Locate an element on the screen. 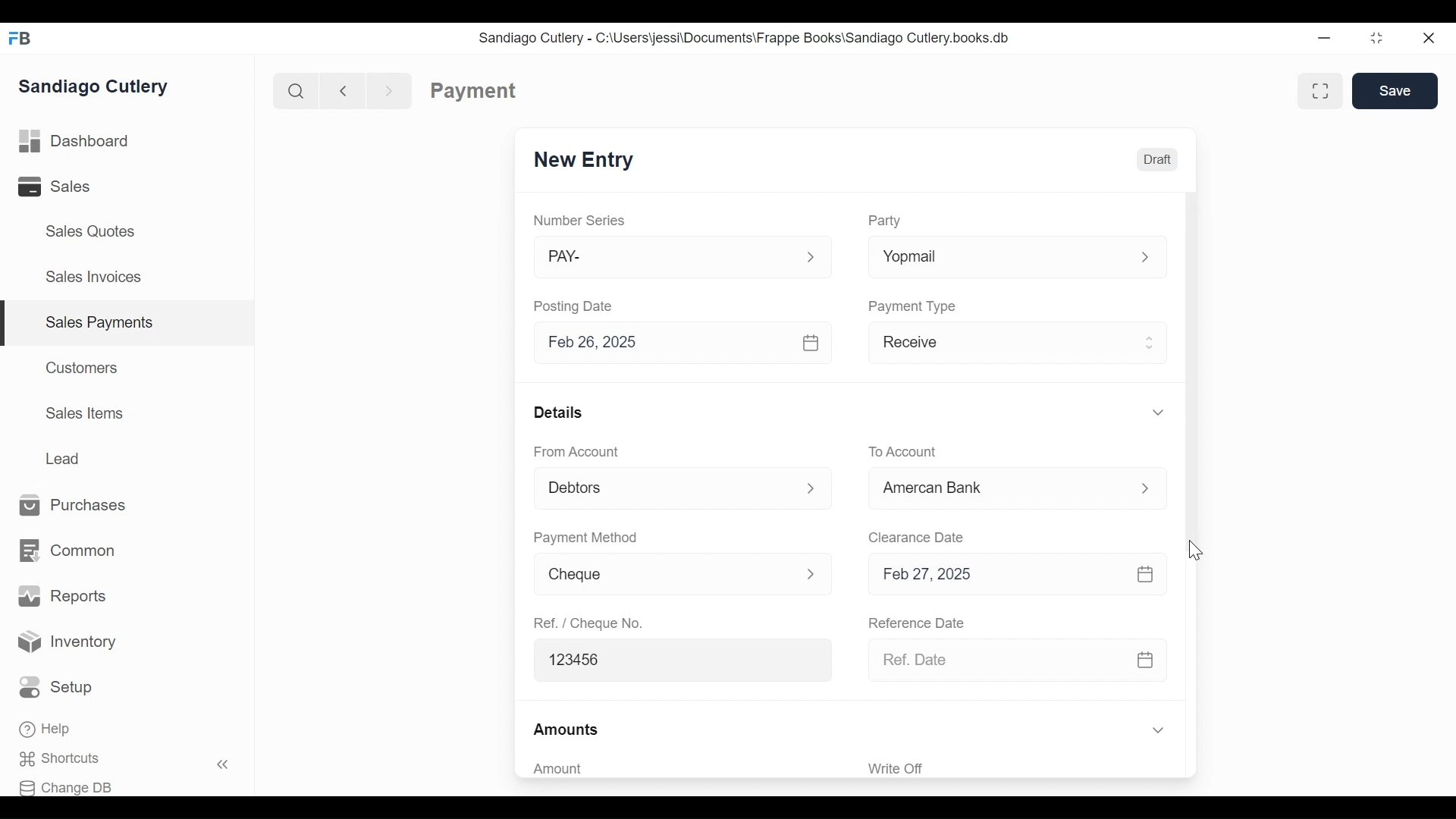 This screenshot has height=819, width=1456. Ref. / Cheque No. is located at coordinates (587, 622).